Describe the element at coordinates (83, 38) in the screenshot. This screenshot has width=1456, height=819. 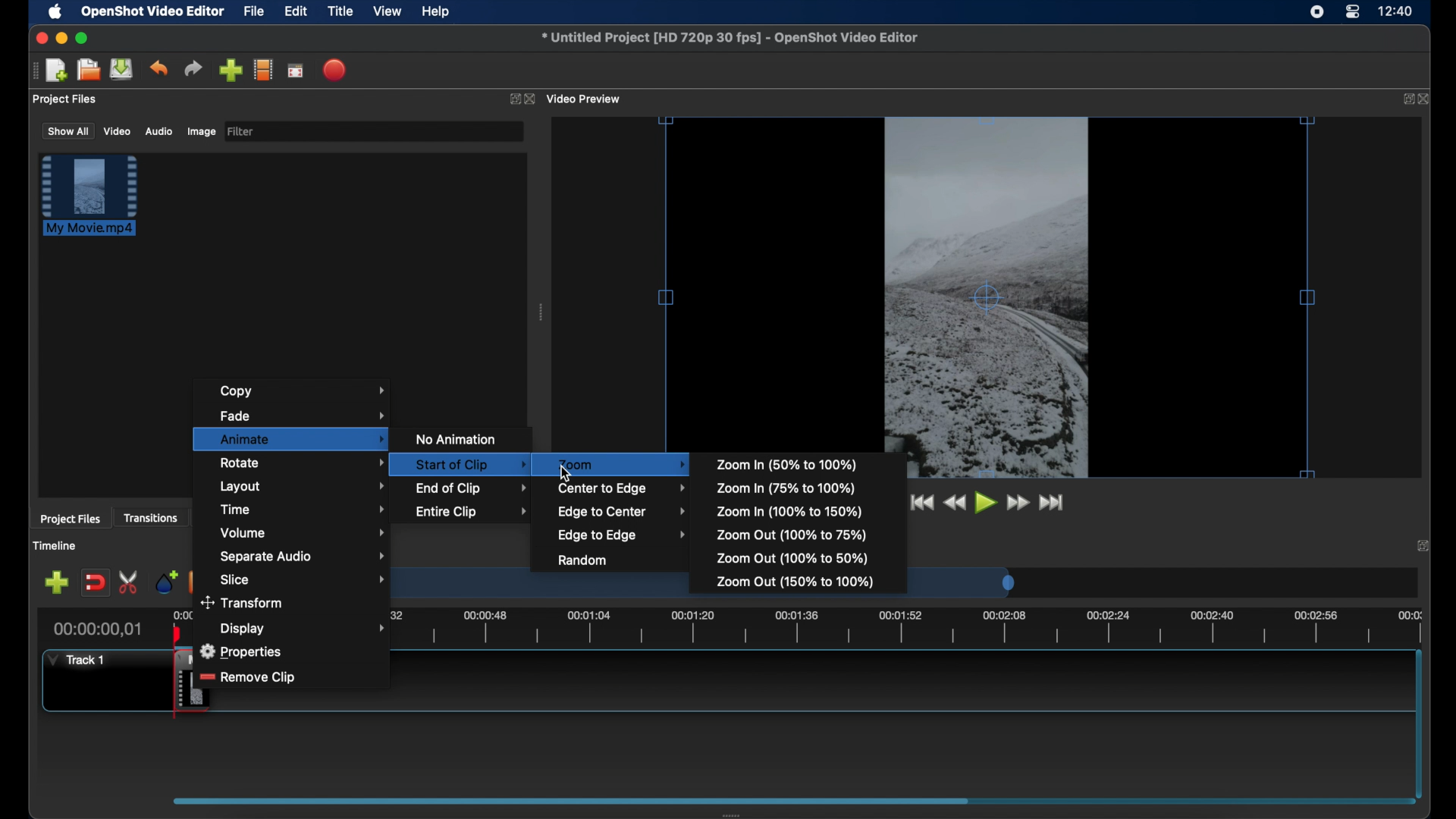
I see `maximize` at that location.